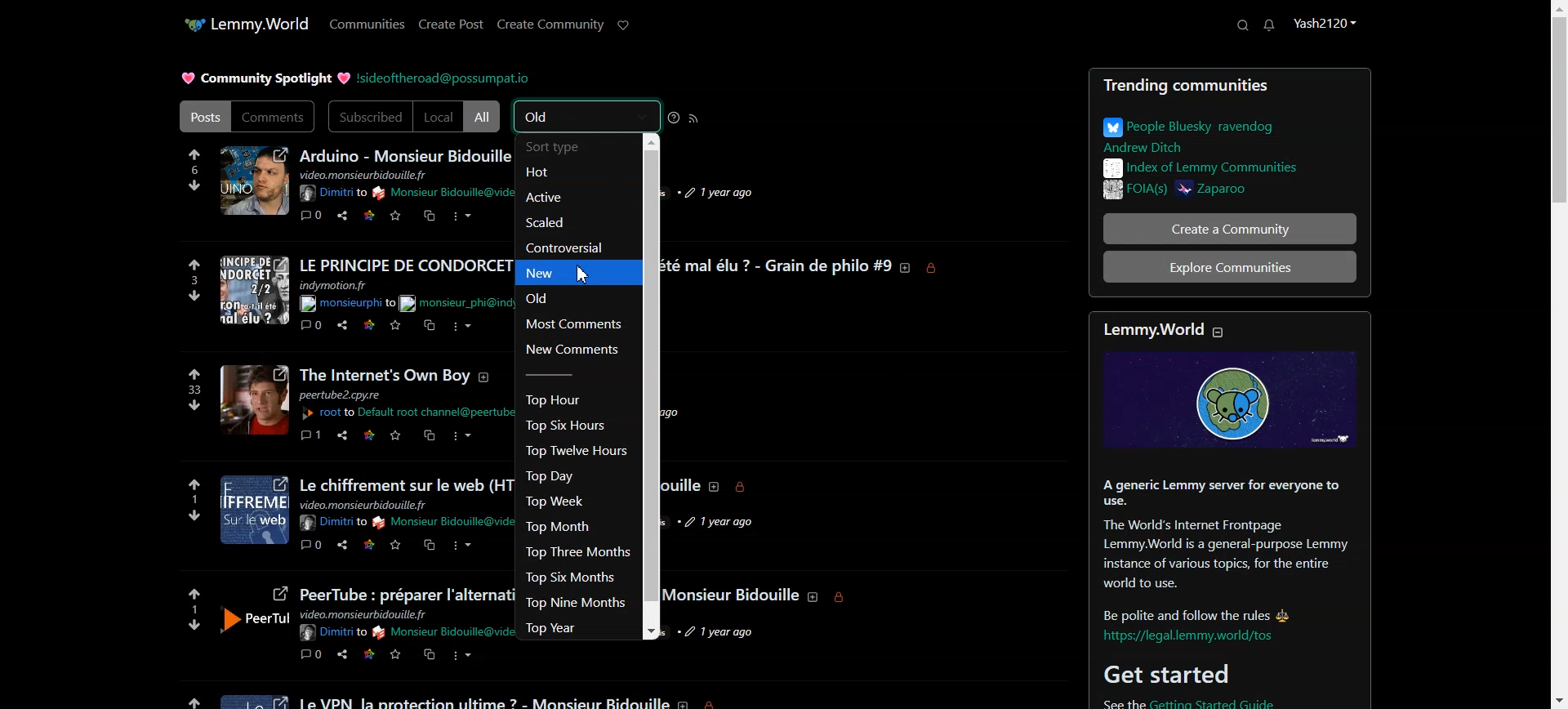 The width and height of the screenshot is (1568, 709). What do you see at coordinates (1219, 228) in the screenshot?
I see `Create a Community` at bounding box center [1219, 228].